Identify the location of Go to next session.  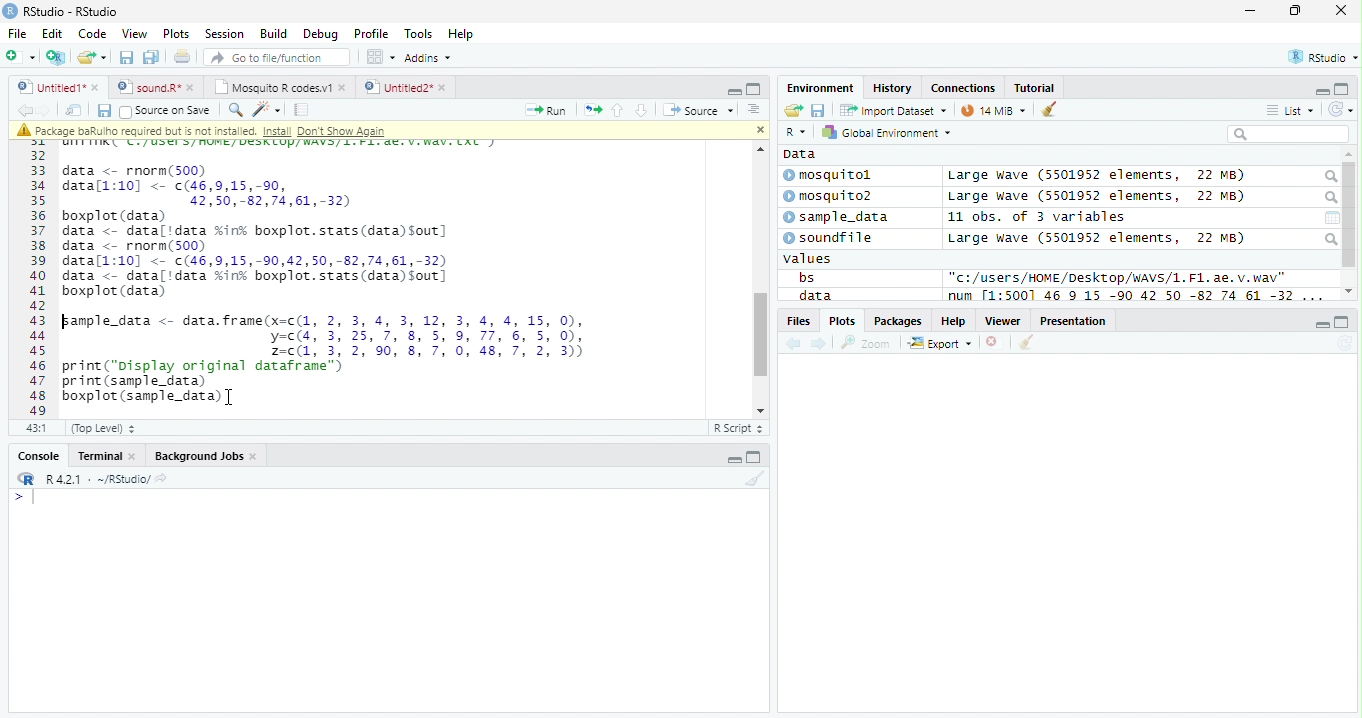
(642, 111).